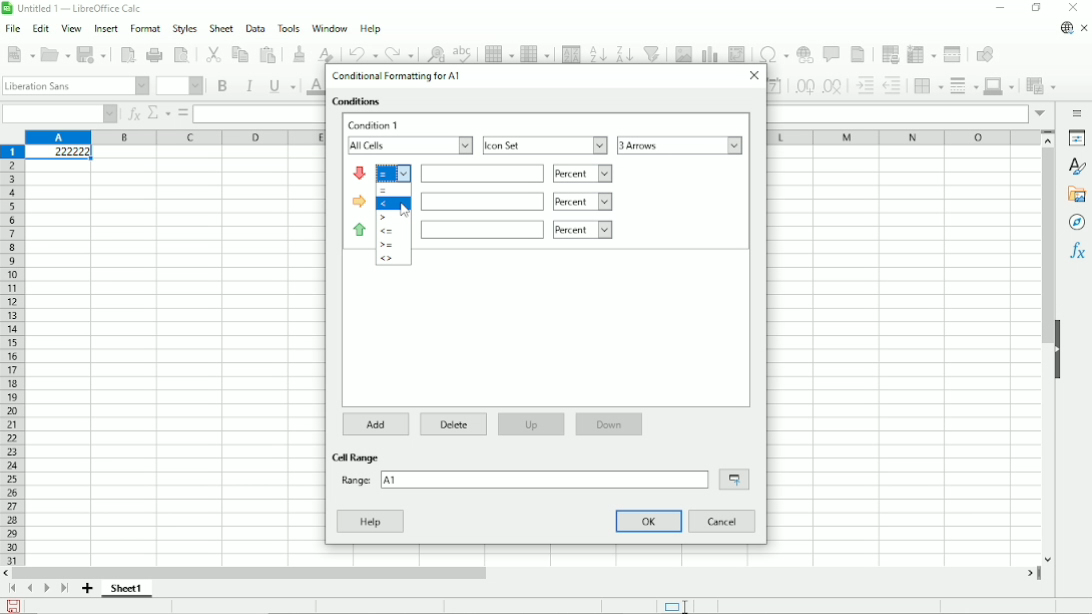  I want to click on Cell range, so click(358, 457).